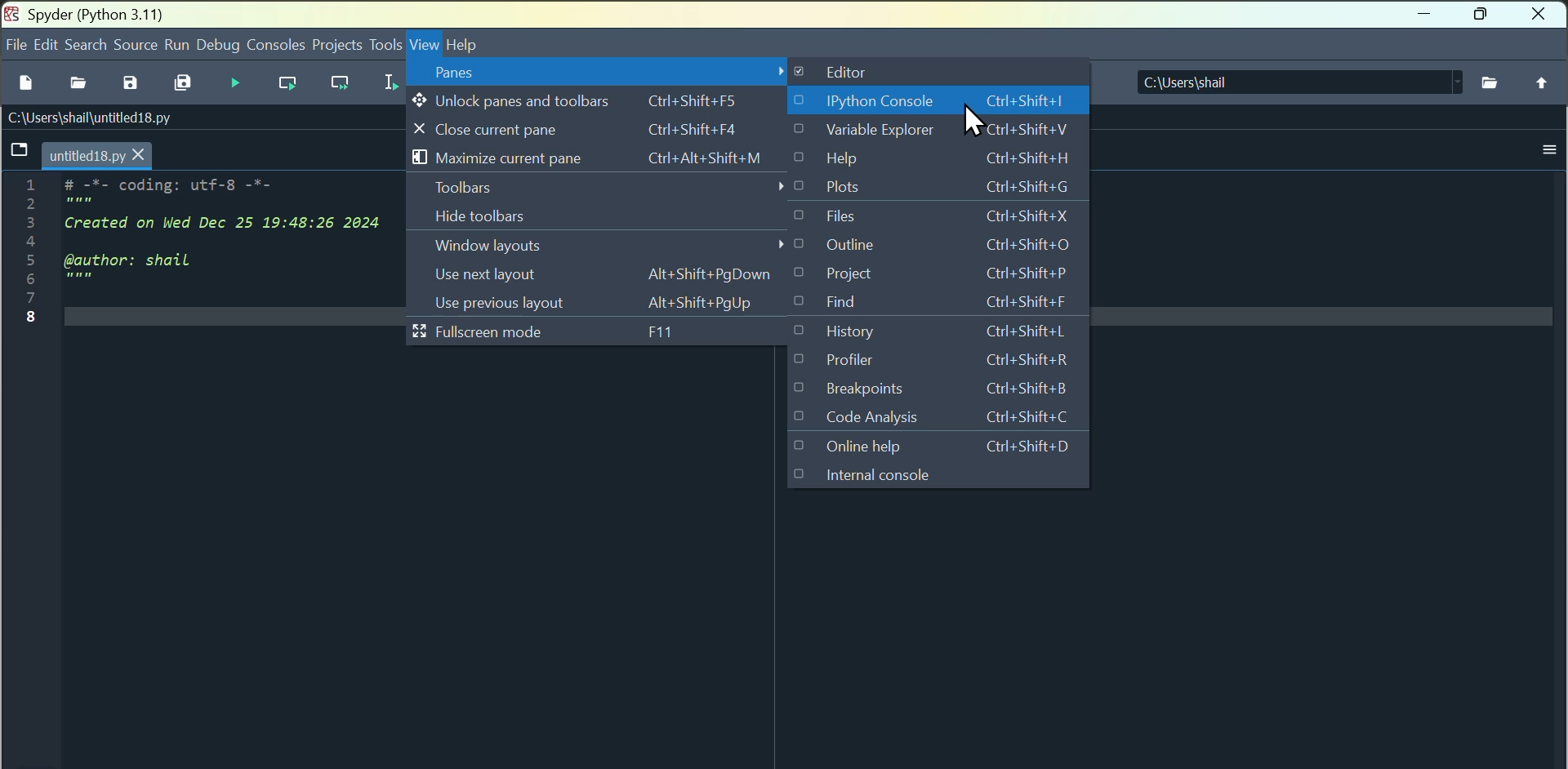  What do you see at coordinates (579, 98) in the screenshot?
I see `Unlock Panes and toolbars` at bounding box center [579, 98].